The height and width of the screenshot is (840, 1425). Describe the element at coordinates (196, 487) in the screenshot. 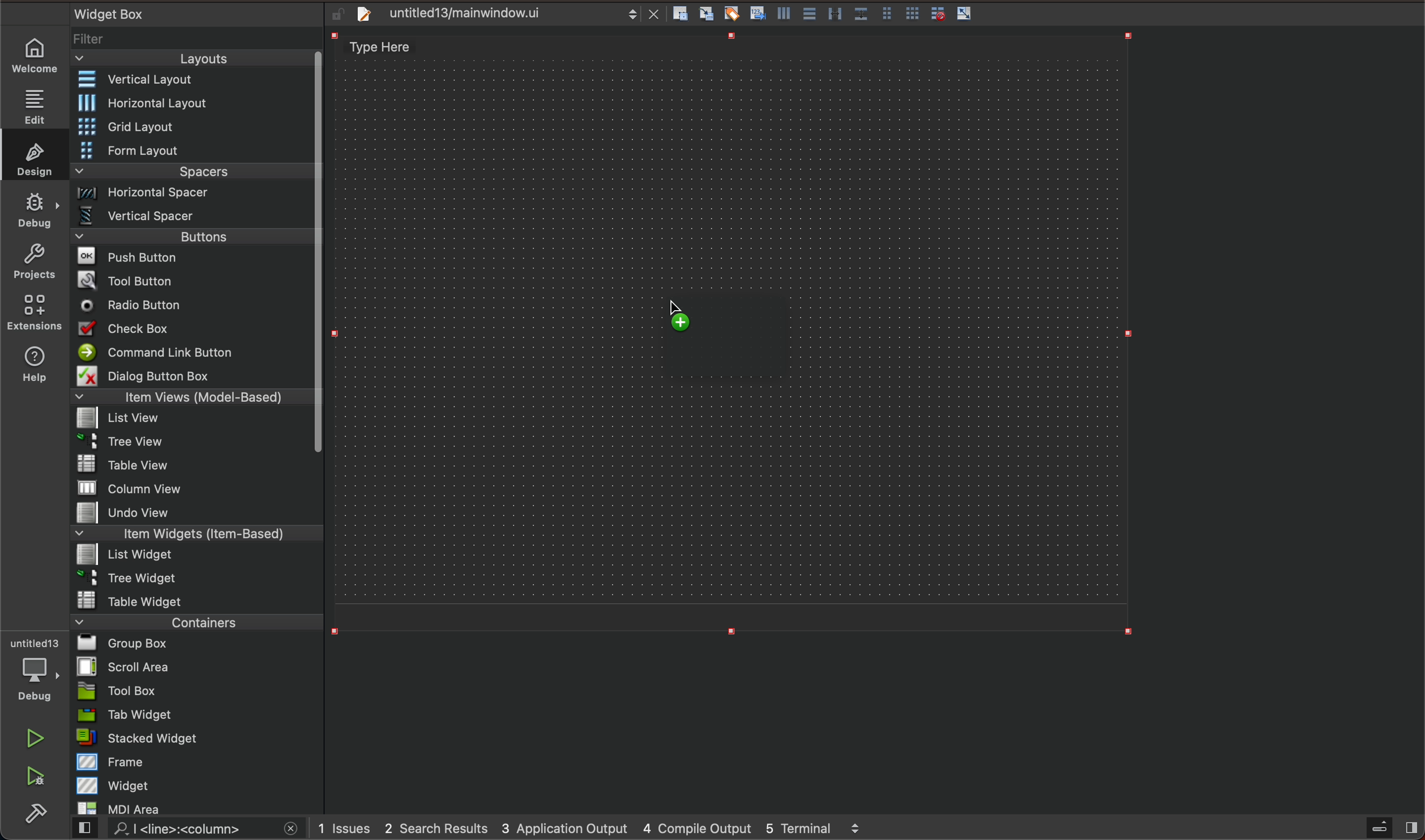

I see `column view` at that location.